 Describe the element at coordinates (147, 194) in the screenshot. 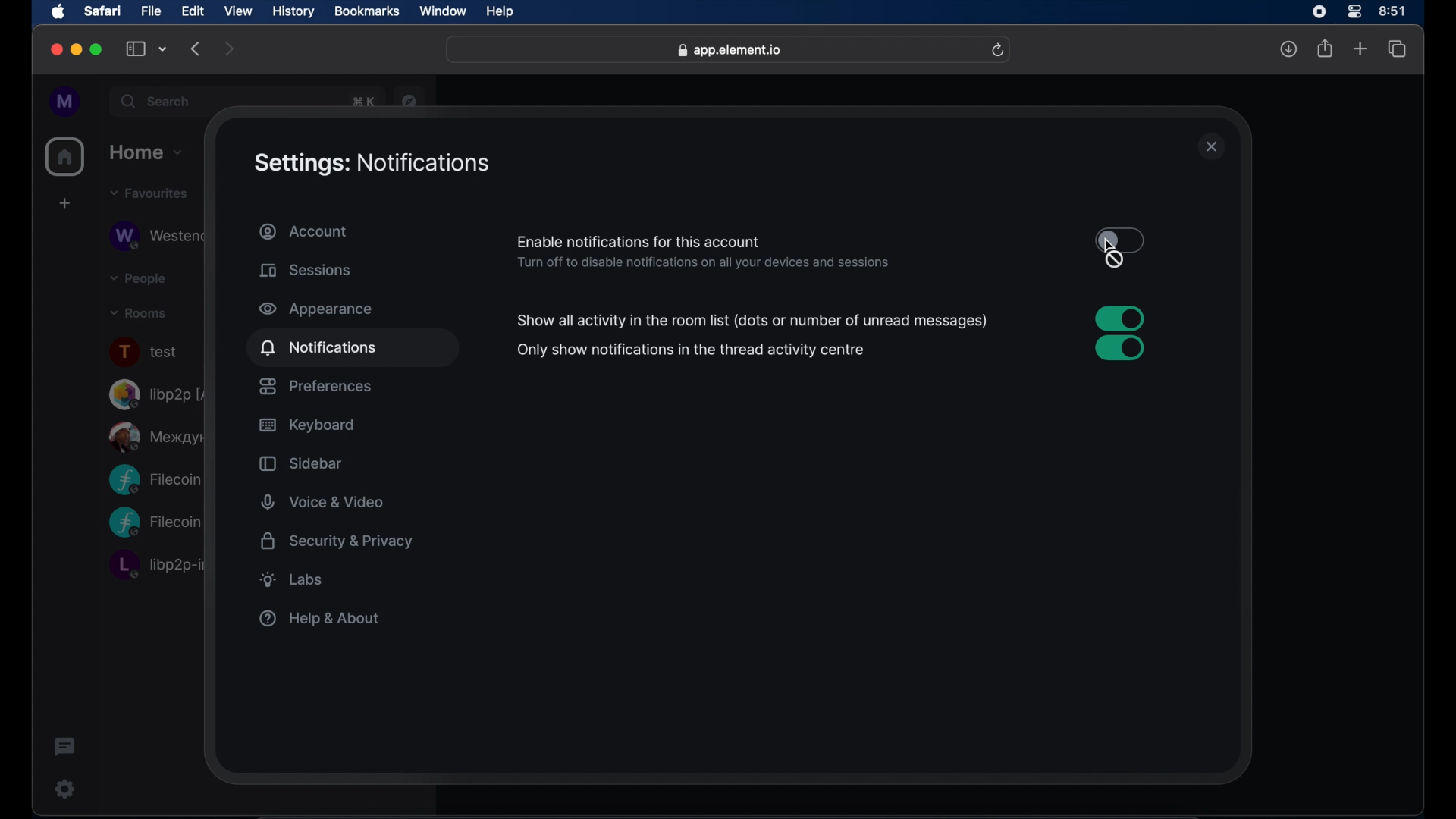

I see `favorites drop down` at that location.